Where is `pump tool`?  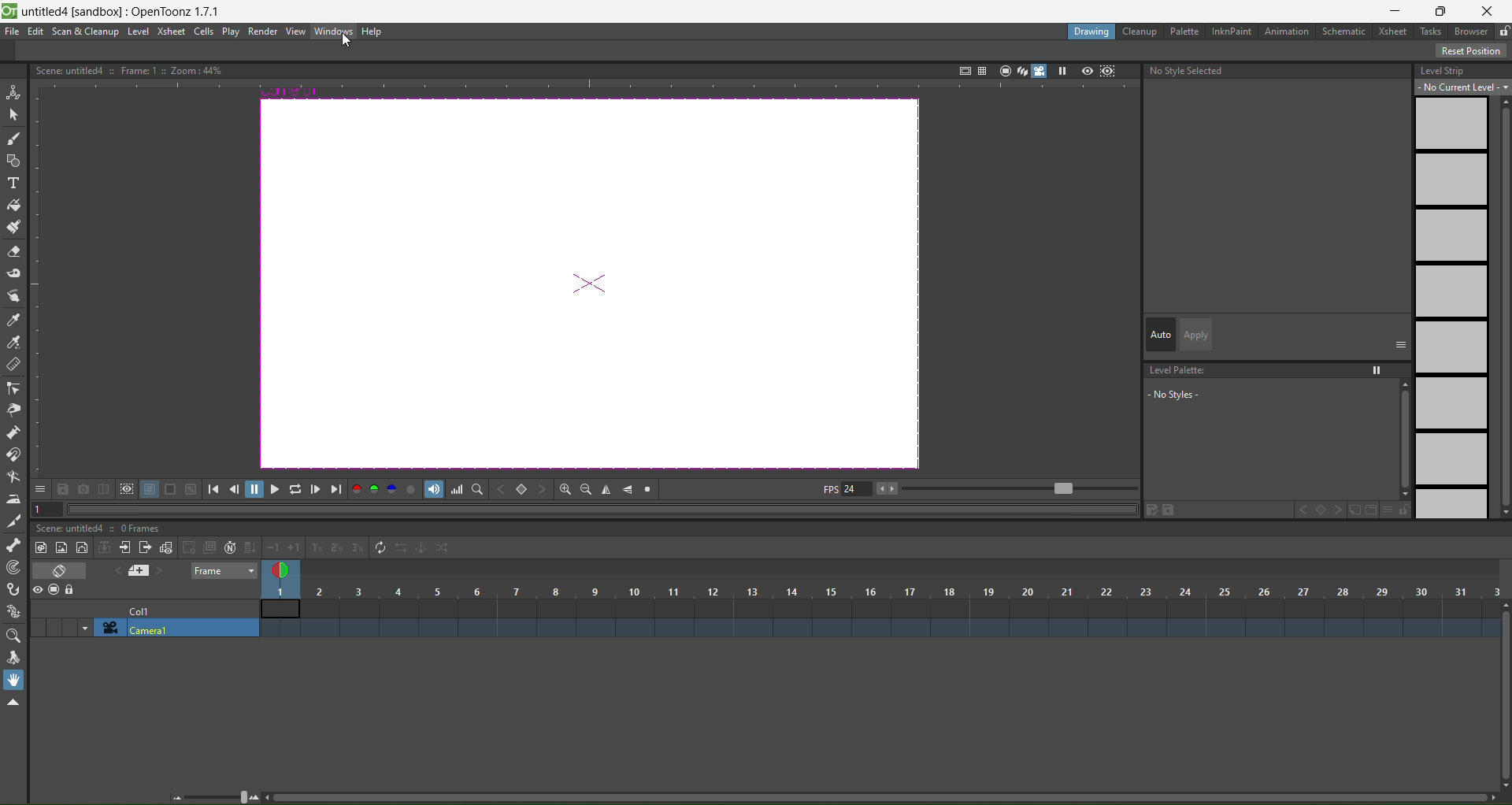 pump tool is located at coordinates (15, 432).